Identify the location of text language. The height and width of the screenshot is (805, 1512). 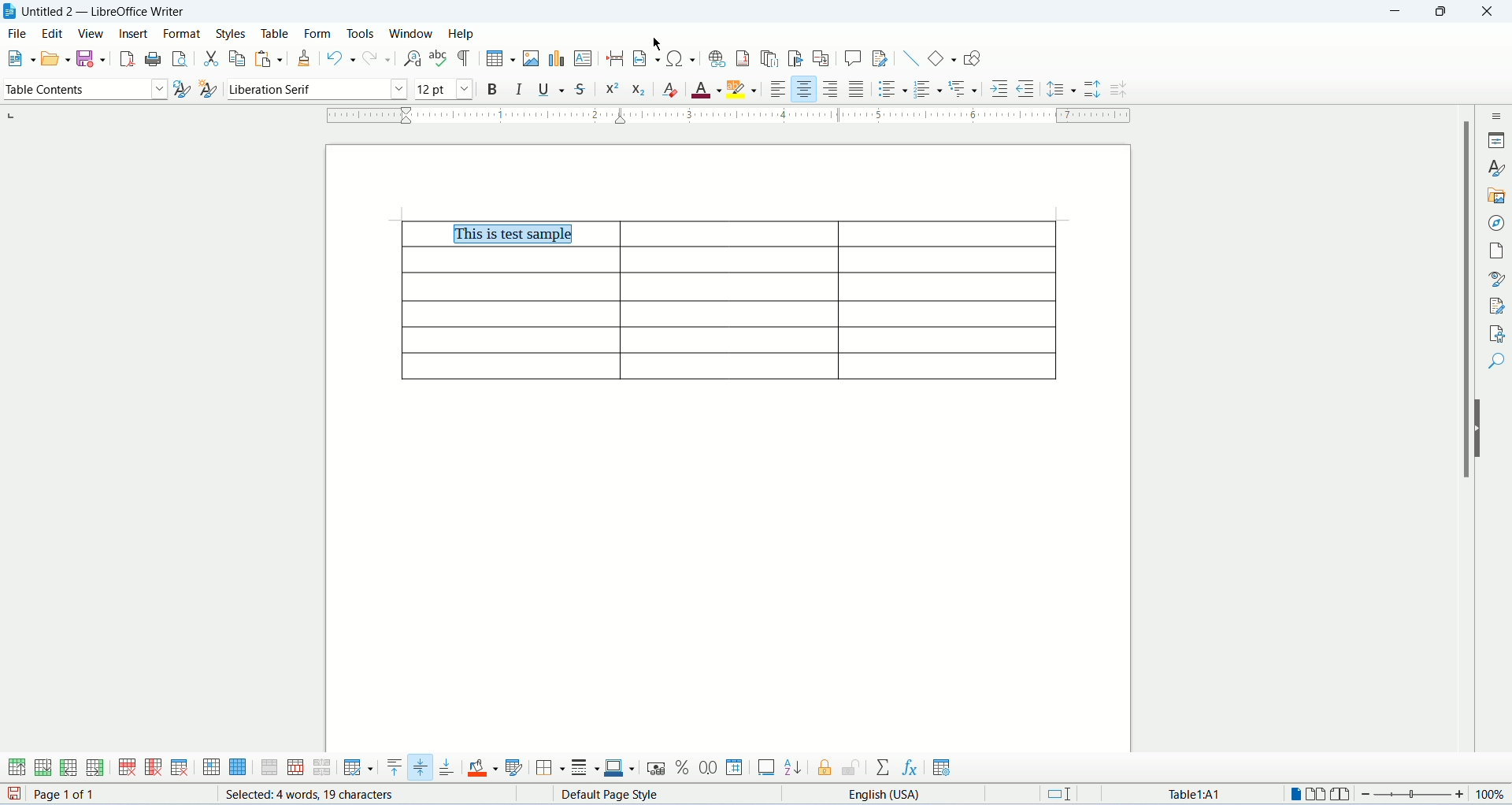
(891, 795).